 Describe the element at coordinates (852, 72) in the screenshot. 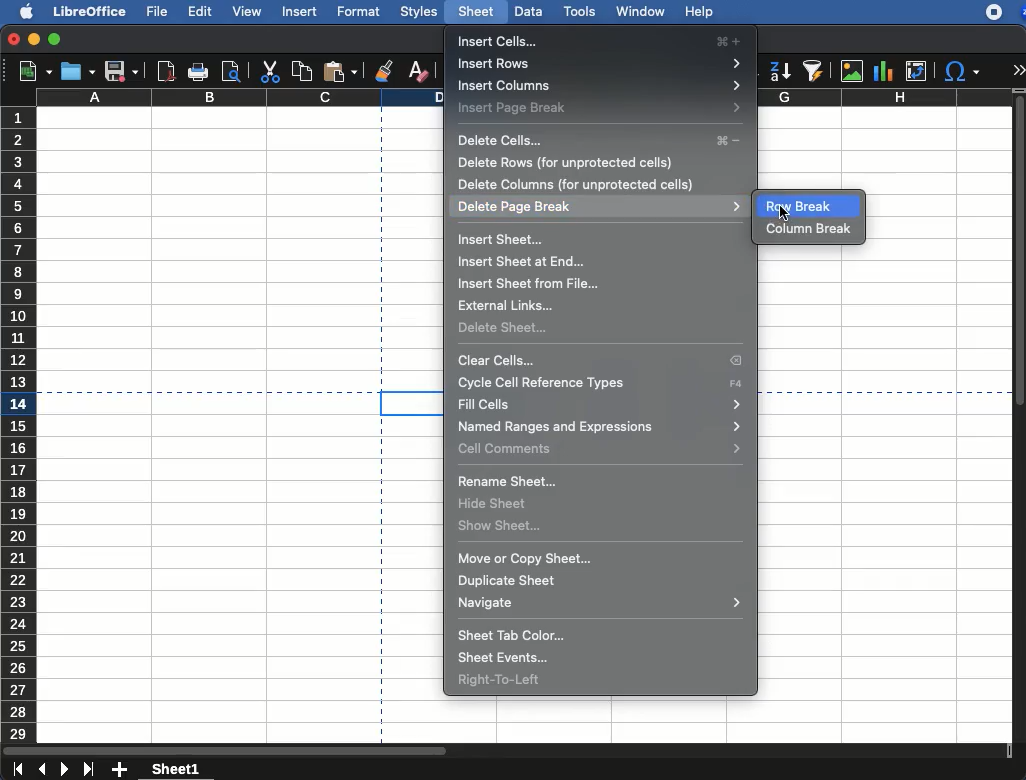

I see `image` at that location.